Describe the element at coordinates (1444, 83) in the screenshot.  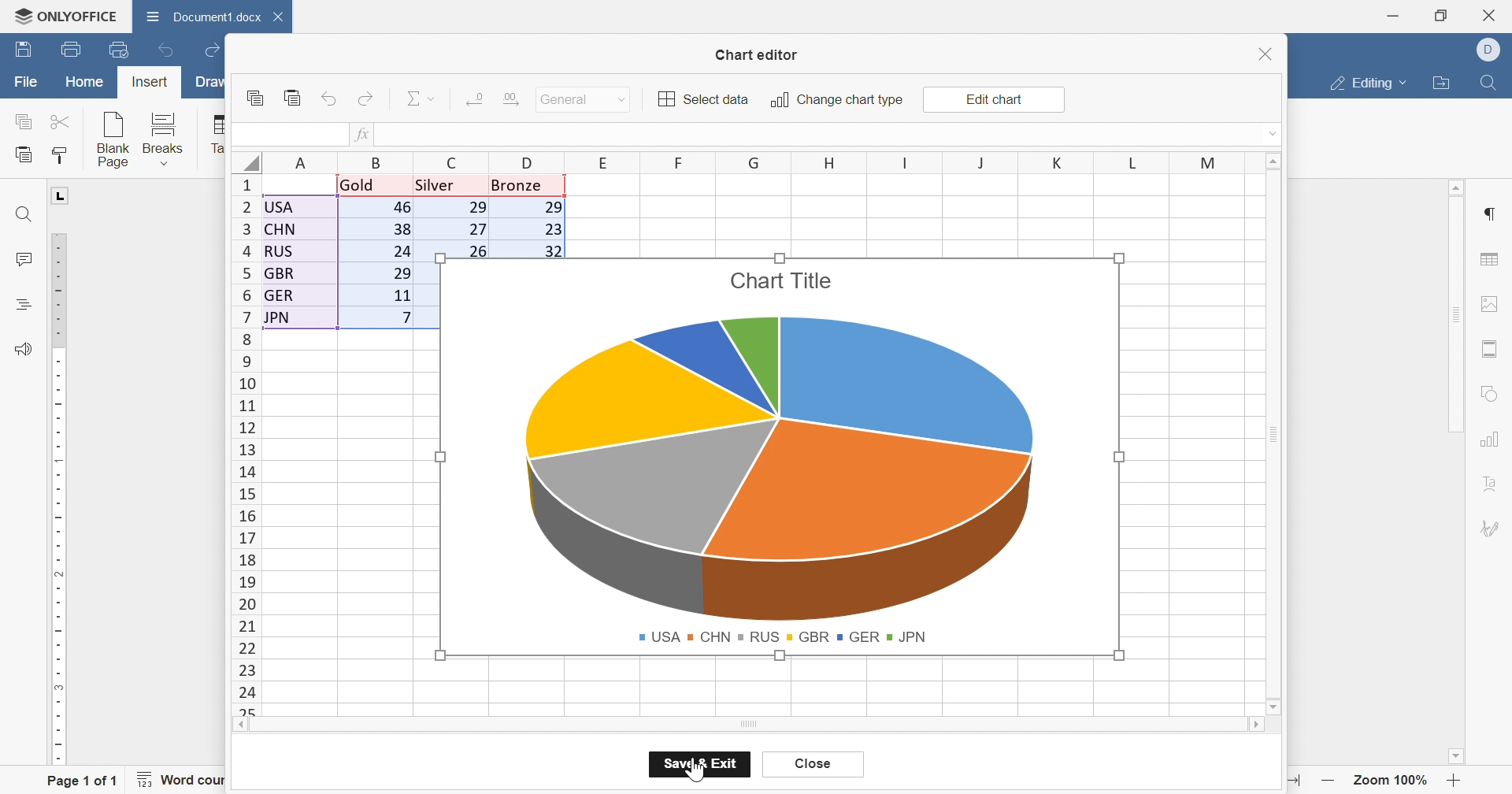
I see `Open File location` at that location.